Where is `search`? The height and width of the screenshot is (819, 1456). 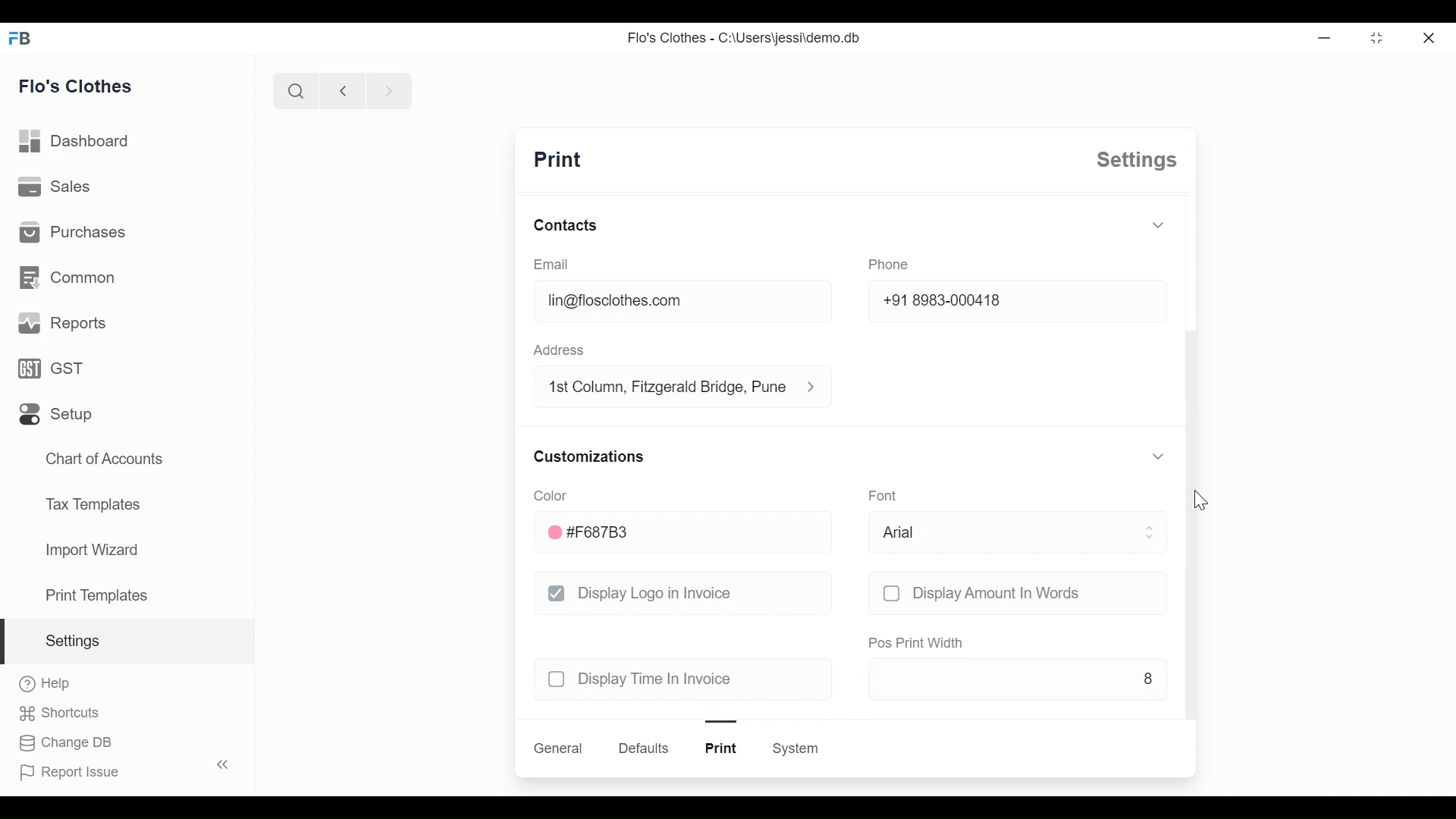 search is located at coordinates (295, 90).